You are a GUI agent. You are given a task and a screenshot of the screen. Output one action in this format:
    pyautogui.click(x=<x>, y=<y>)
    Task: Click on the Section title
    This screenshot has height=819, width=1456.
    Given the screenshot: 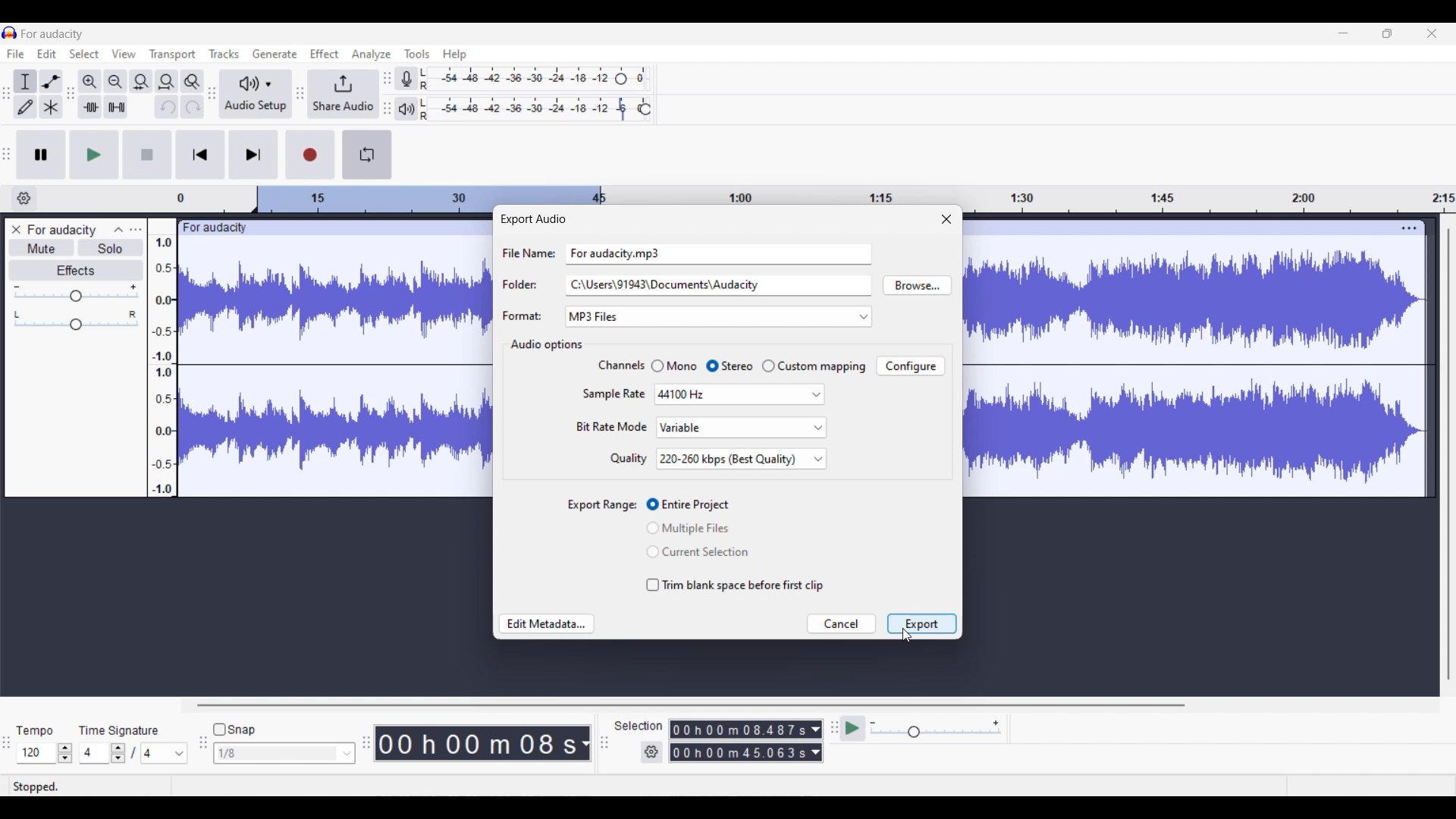 What is the action you would take?
    pyautogui.click(x=545, y=345)
    